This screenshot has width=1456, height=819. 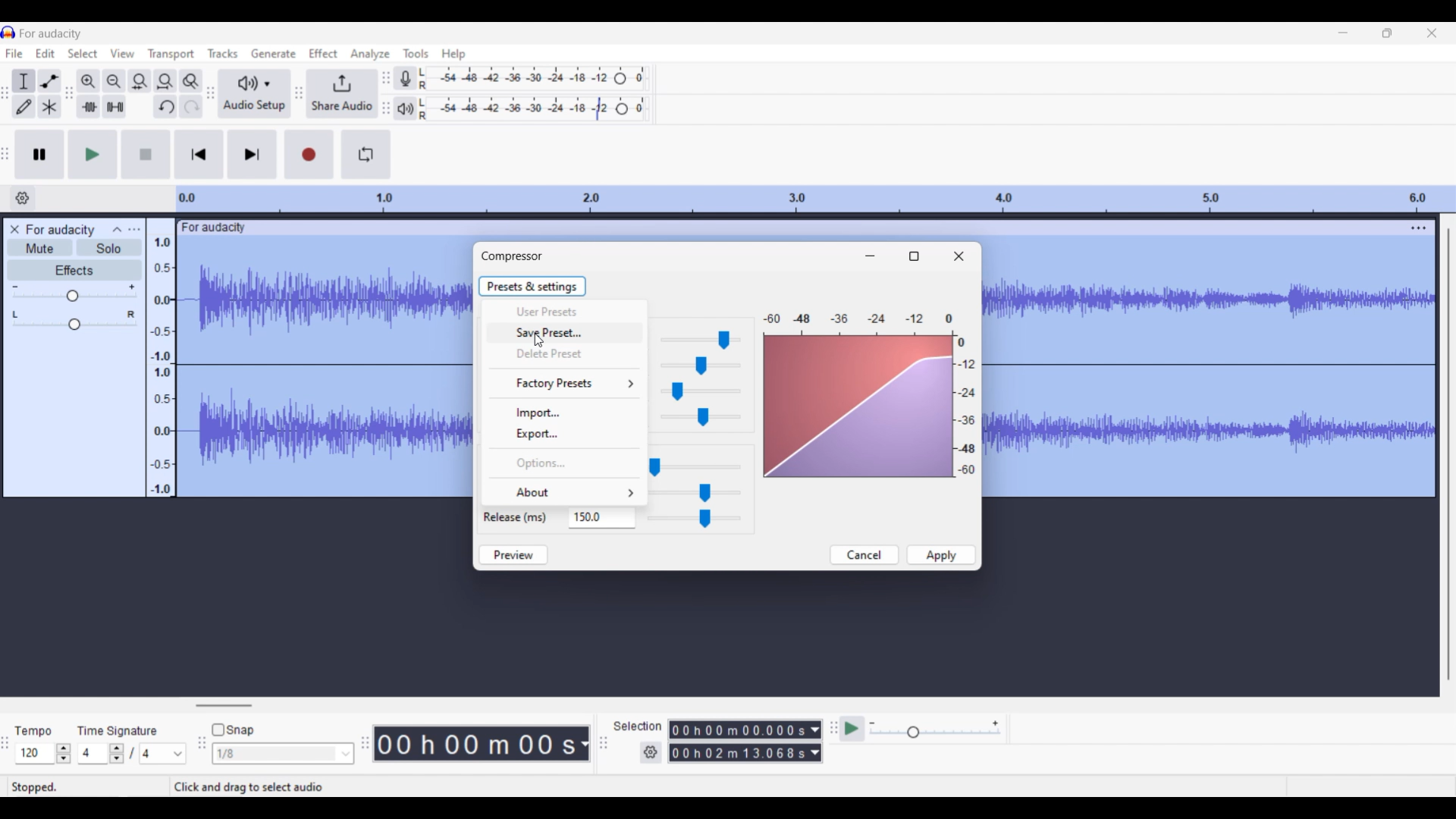 I want to click on Selection duration, so click(x=738, y=742).